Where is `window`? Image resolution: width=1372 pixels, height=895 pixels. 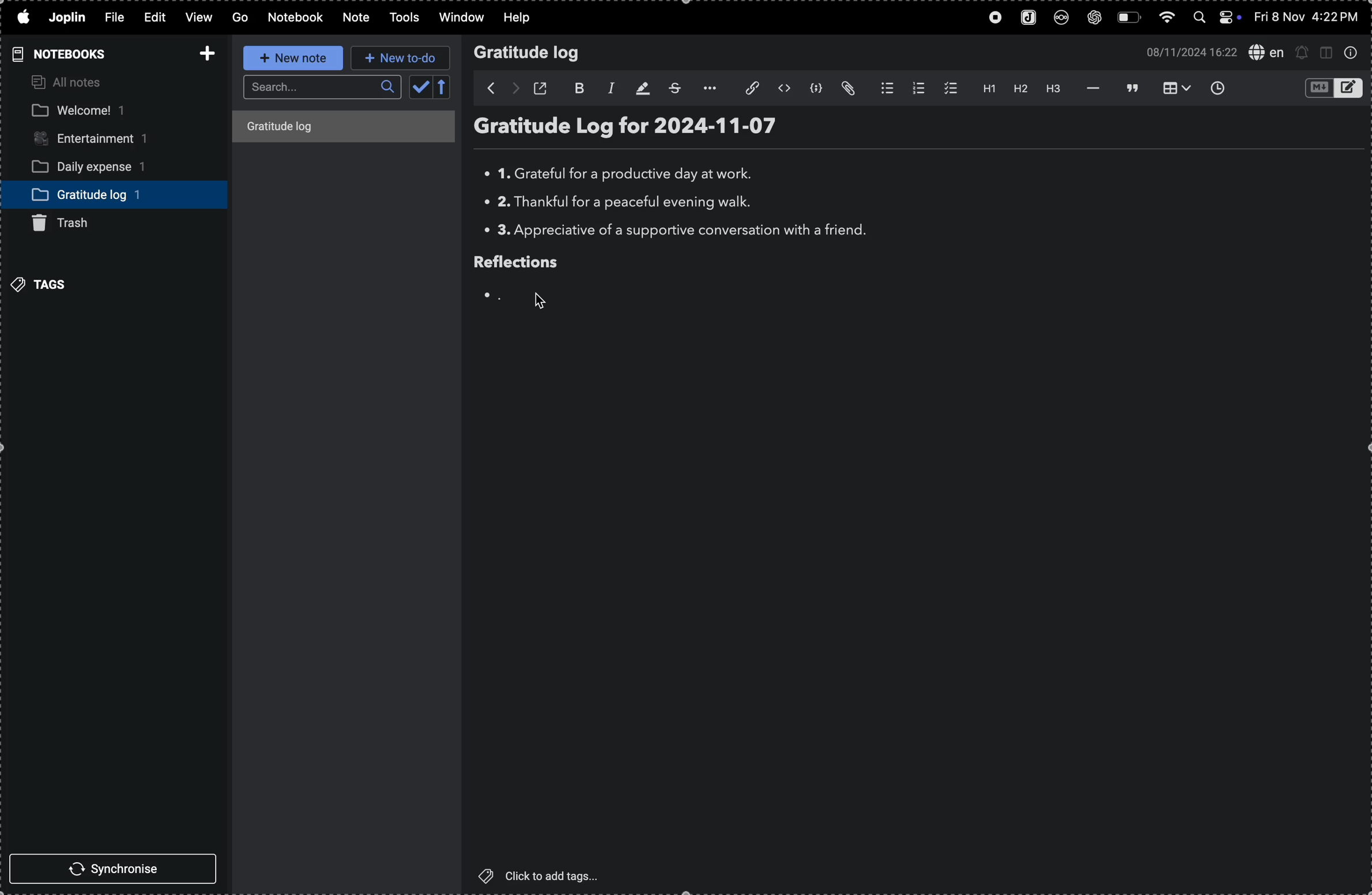
window is located at coordinates (462, 17).